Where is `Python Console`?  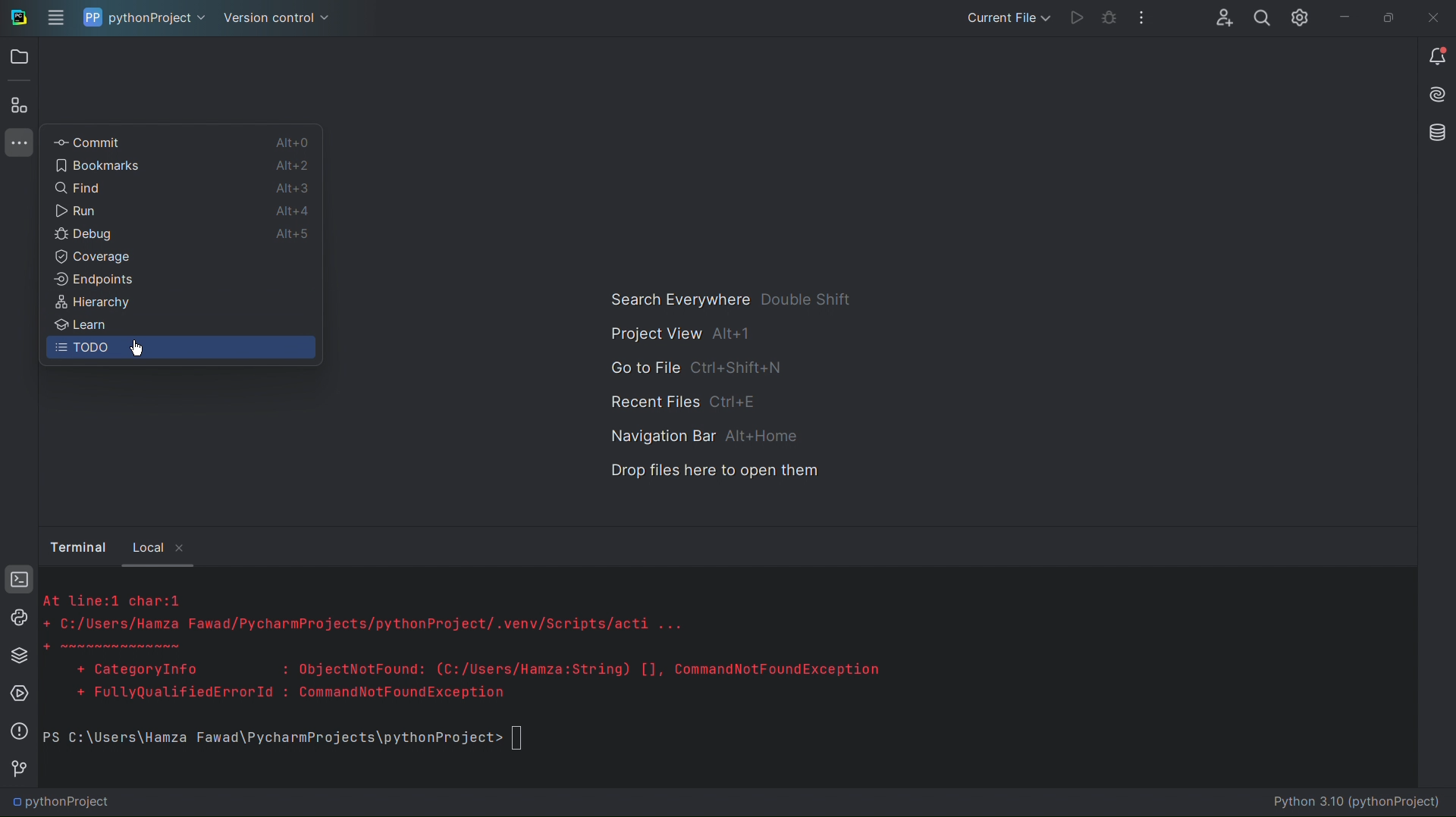
Python Console is located at coordinates (15, 618).